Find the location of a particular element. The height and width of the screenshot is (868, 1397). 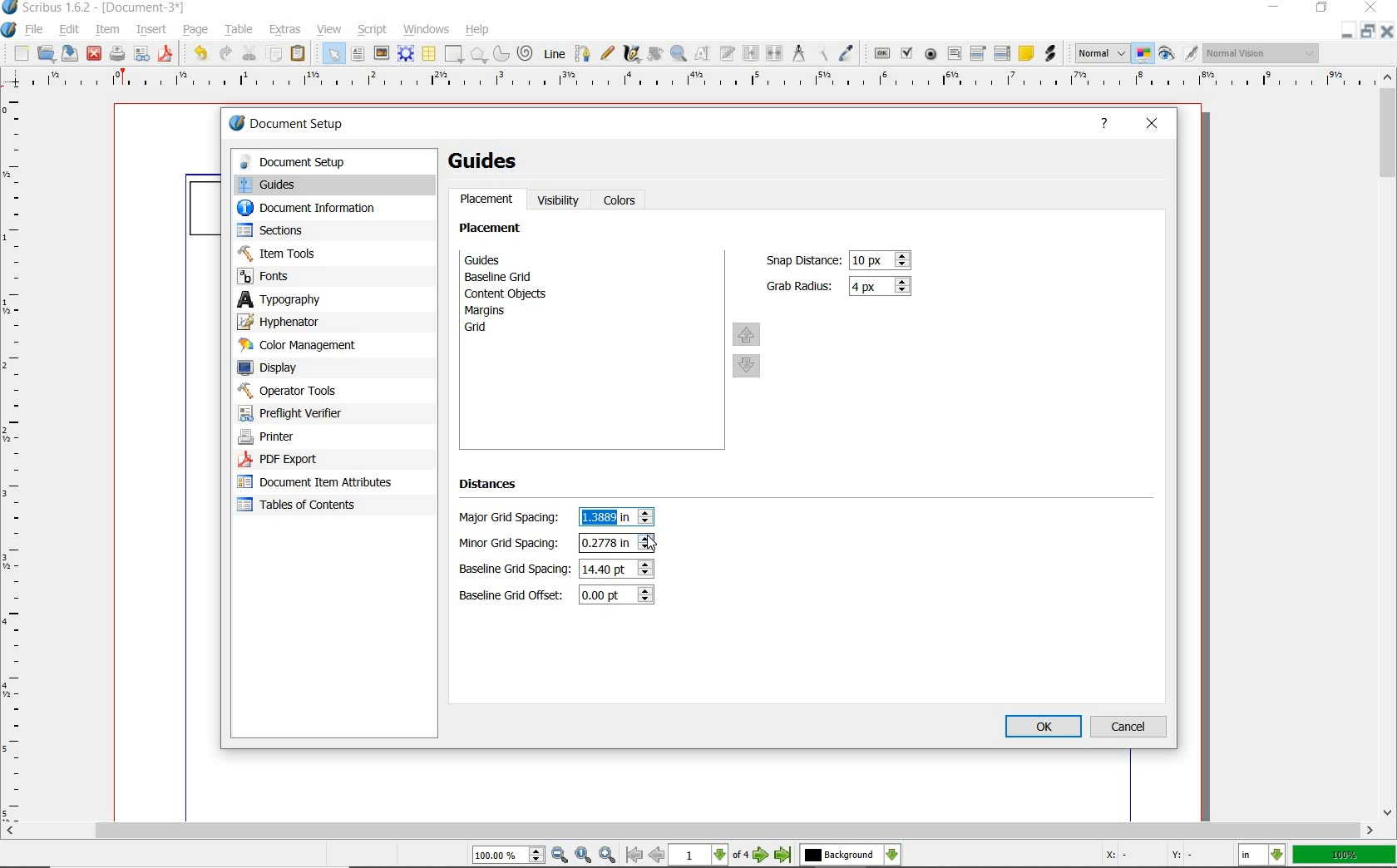

distances is located at coordinates (496, 487).